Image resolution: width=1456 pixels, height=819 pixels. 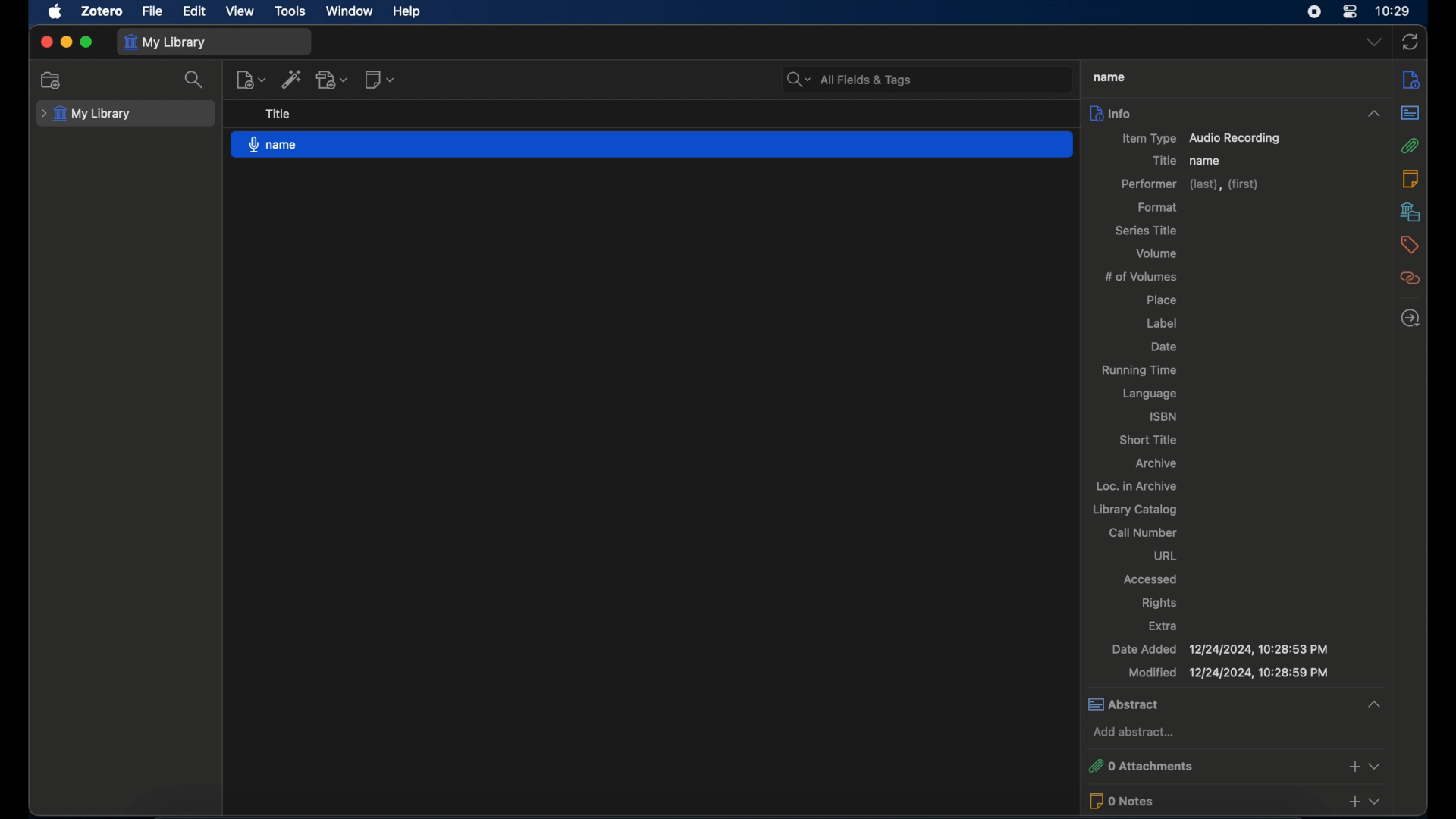 What do you see at coordinates (1238, 113) in the screenshot?
I see `info` at bounding box center [1238, 113].